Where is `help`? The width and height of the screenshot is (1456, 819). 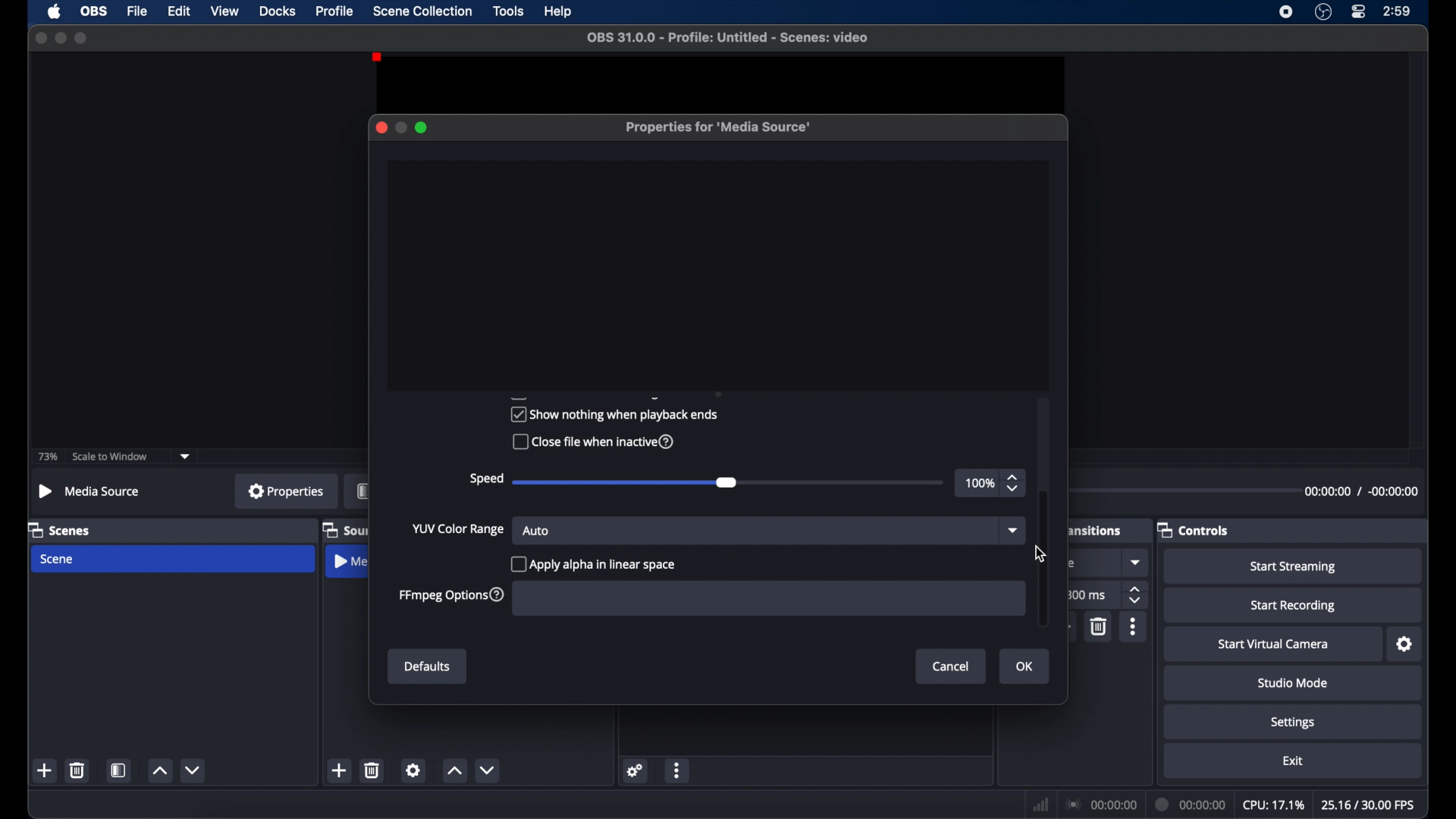
help is located at coordinates (559, 12).